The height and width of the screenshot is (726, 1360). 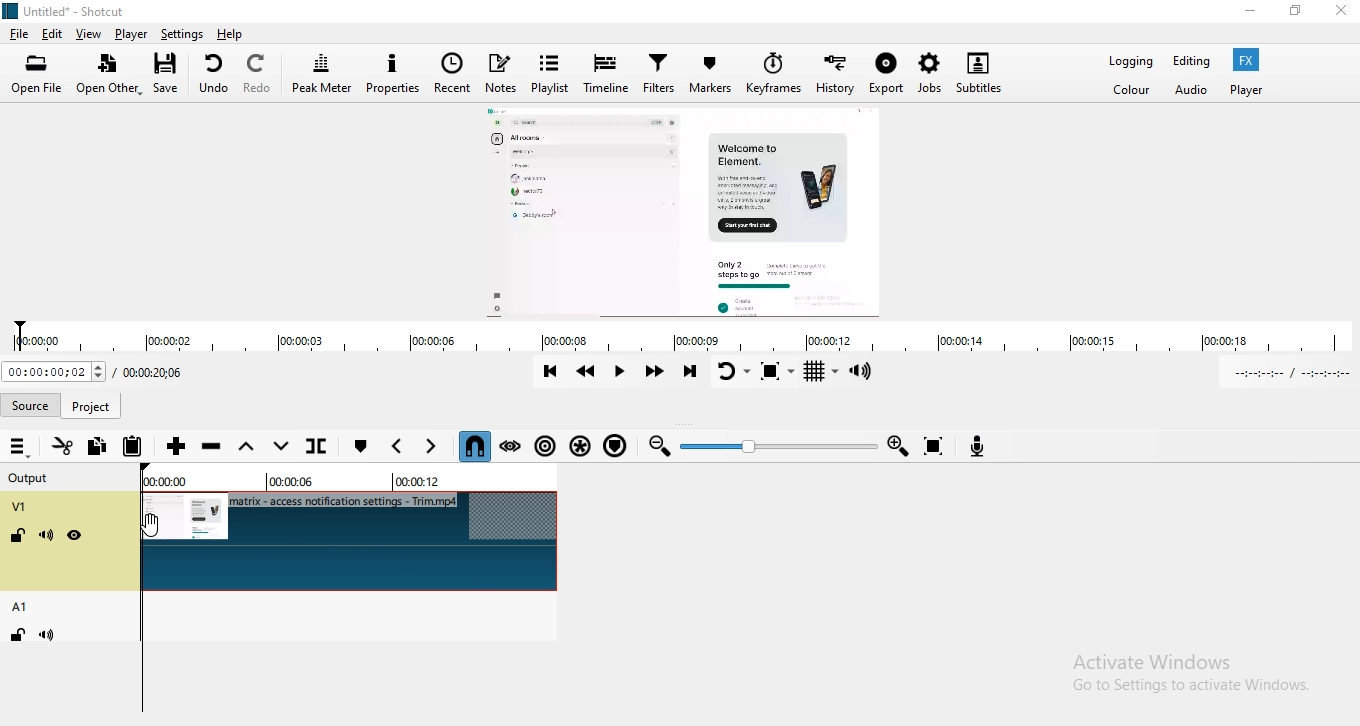 I want to click on A1, so click(x=28, y=603).